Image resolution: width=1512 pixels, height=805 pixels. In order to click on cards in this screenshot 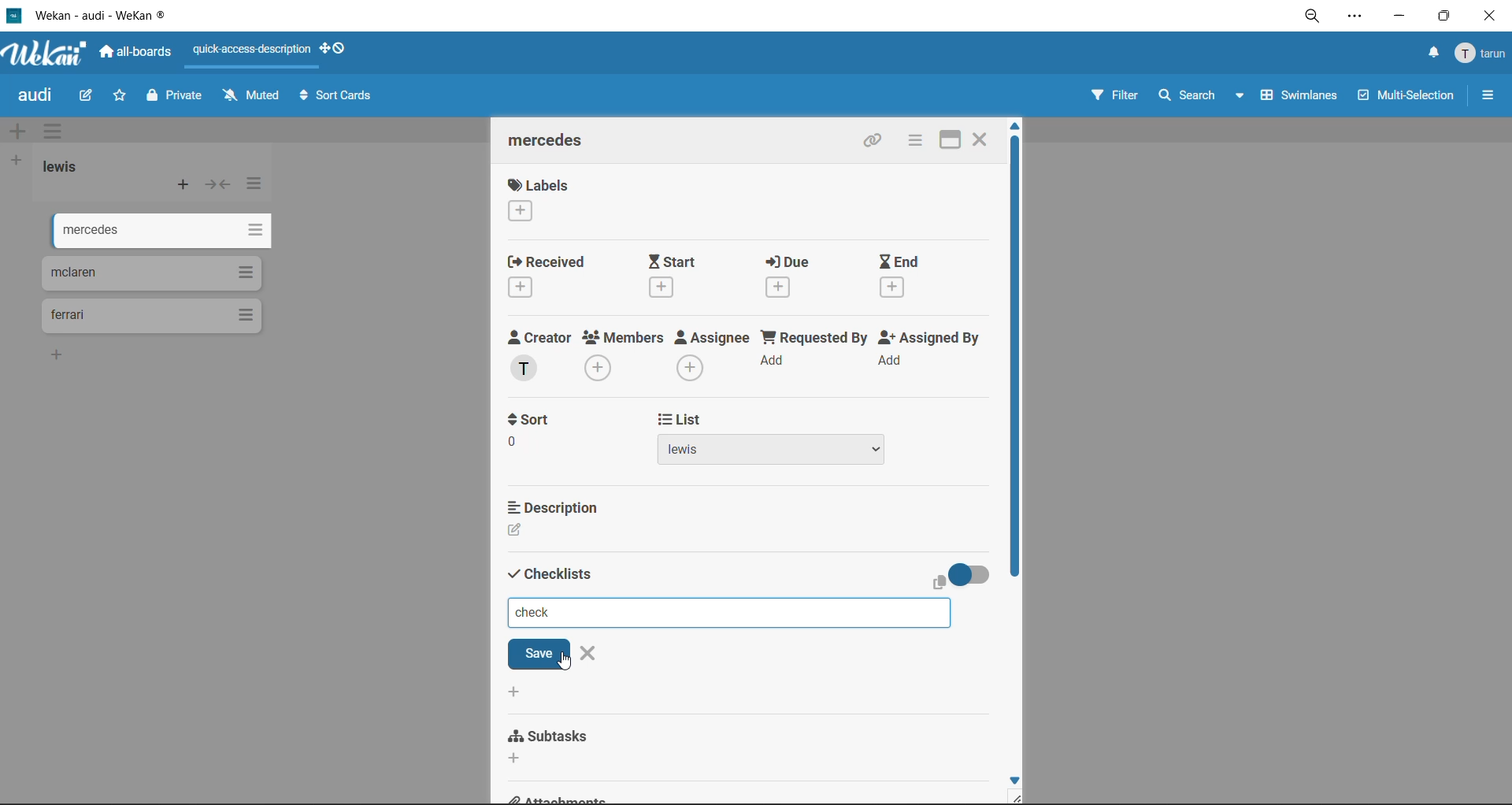, I will do `click(158, 233)`.